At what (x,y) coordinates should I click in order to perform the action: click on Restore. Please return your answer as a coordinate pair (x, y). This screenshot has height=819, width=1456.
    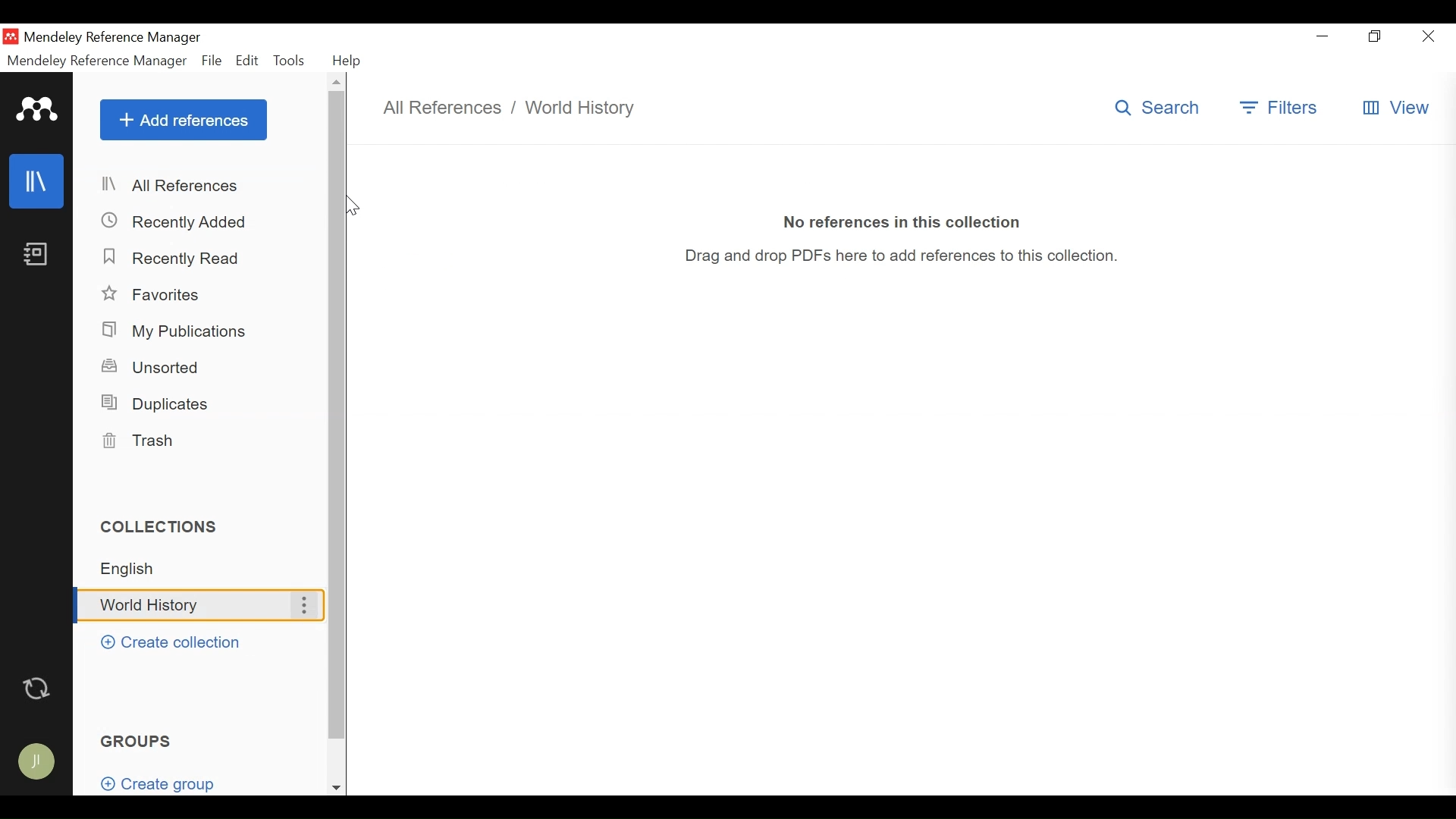
    Looking at the image, I should click on (1376, 37).